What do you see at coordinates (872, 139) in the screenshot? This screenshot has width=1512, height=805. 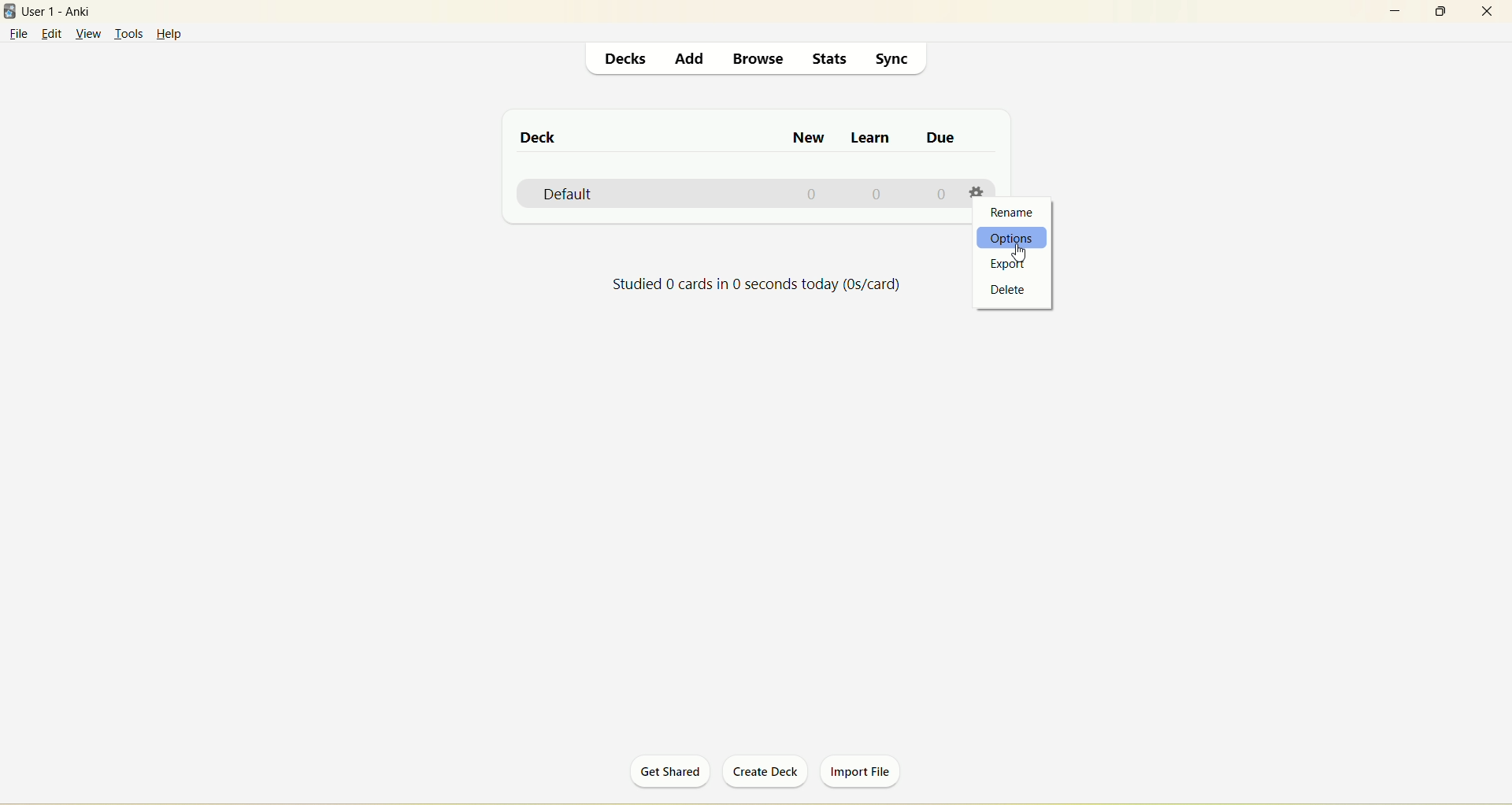 I see `learn` at bounding box center [872, 139].